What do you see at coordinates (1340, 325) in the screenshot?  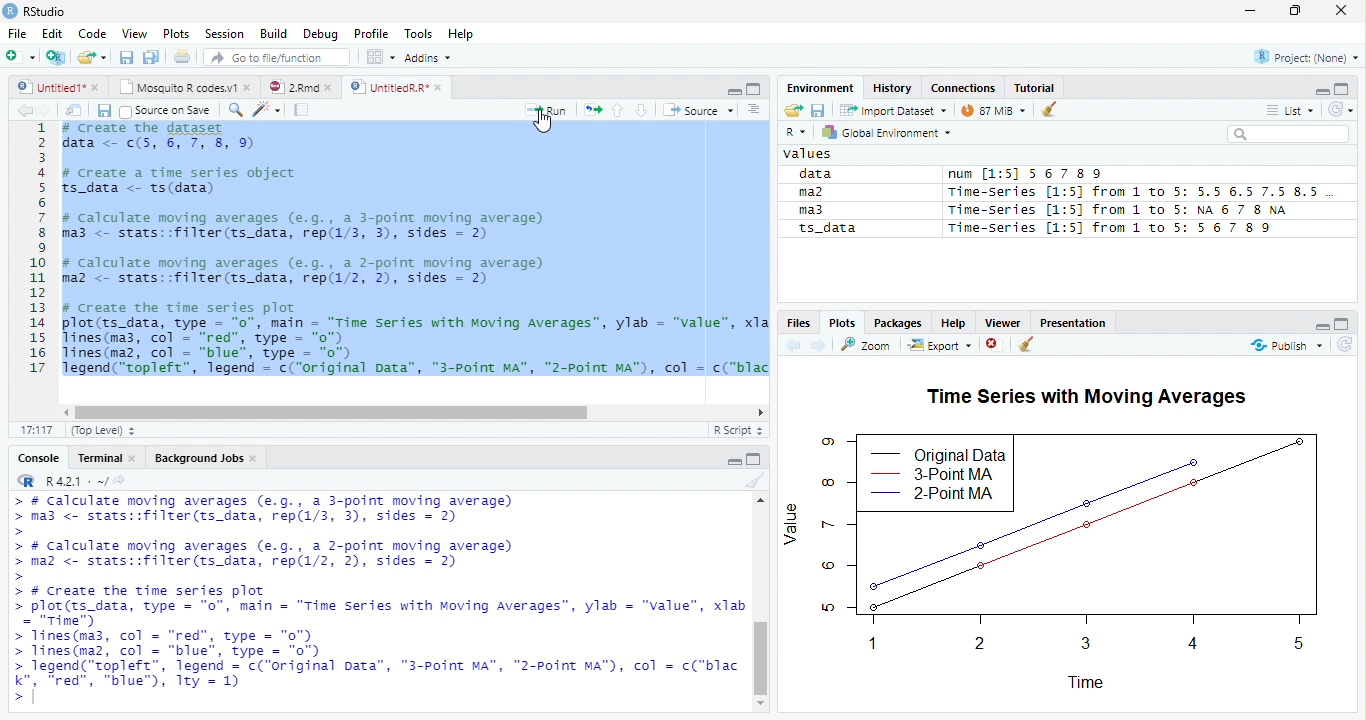 I see `maximize` at bounding box center [1340, 325].